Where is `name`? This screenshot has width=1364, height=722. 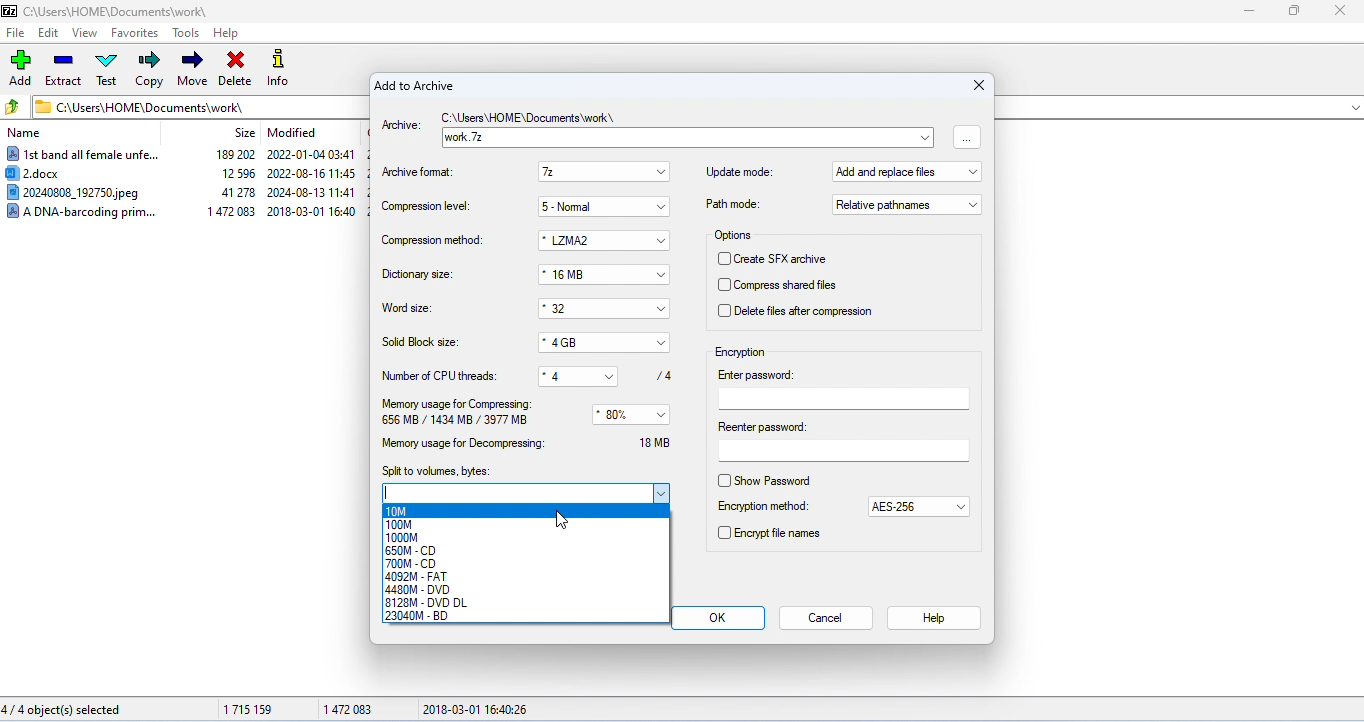 name is located at coordinates (26, 134).